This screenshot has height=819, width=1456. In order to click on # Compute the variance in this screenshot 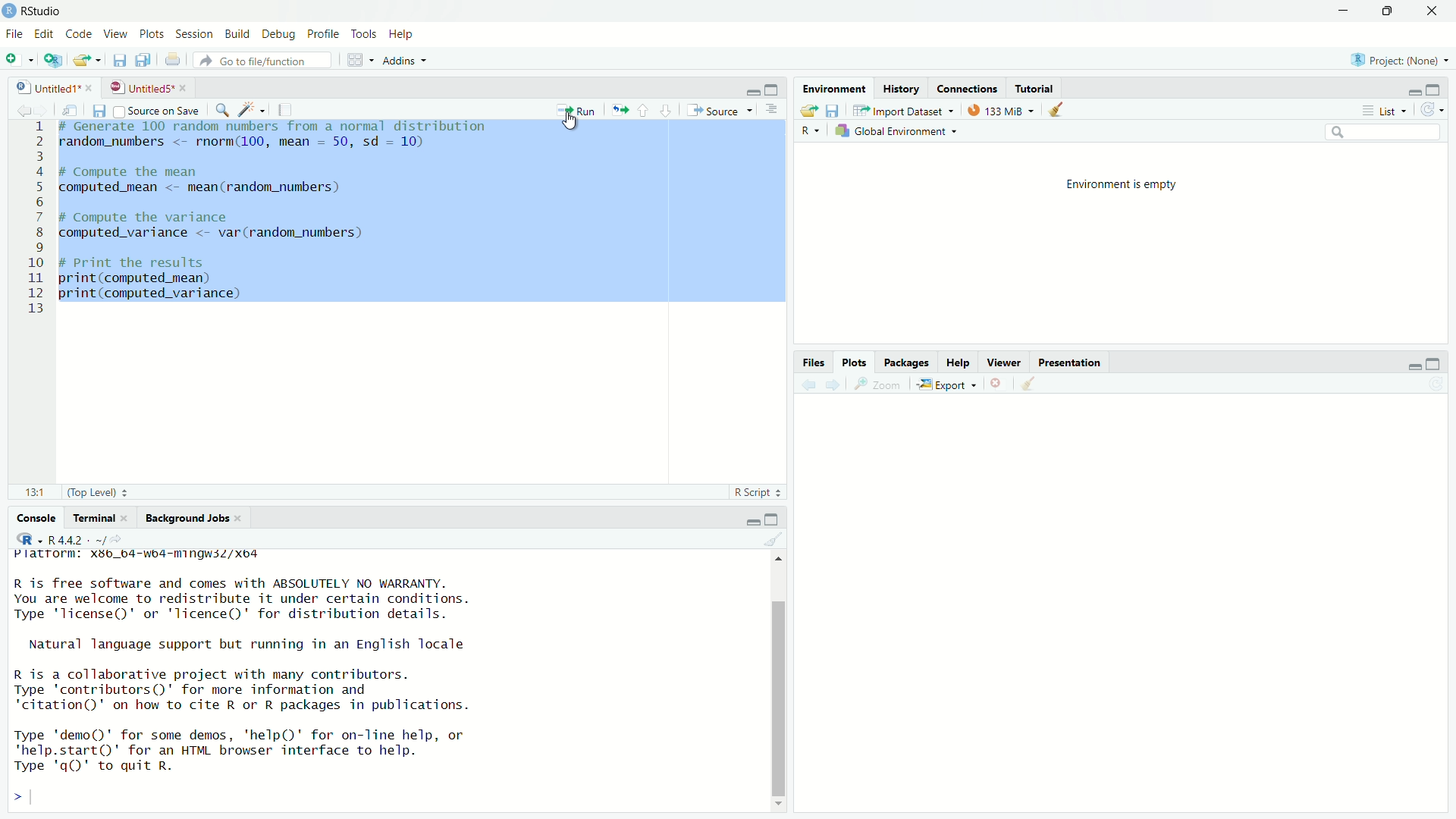, I will do `click(166, 216)`.